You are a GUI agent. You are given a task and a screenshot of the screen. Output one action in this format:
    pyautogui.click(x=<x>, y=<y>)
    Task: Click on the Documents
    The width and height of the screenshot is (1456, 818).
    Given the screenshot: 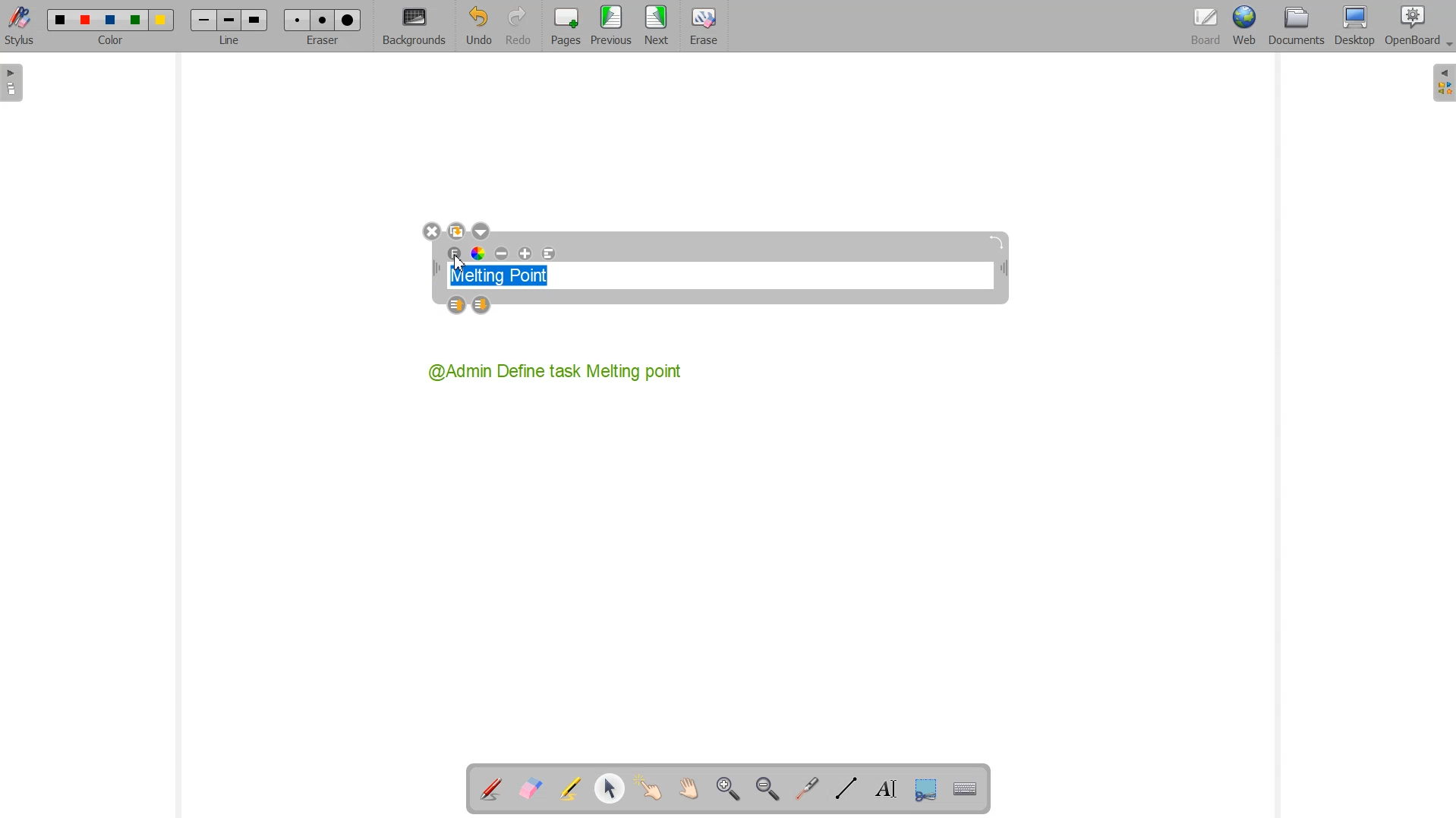 What is the action you would take?
    pyautogui.click(x=1296, y=27)
    